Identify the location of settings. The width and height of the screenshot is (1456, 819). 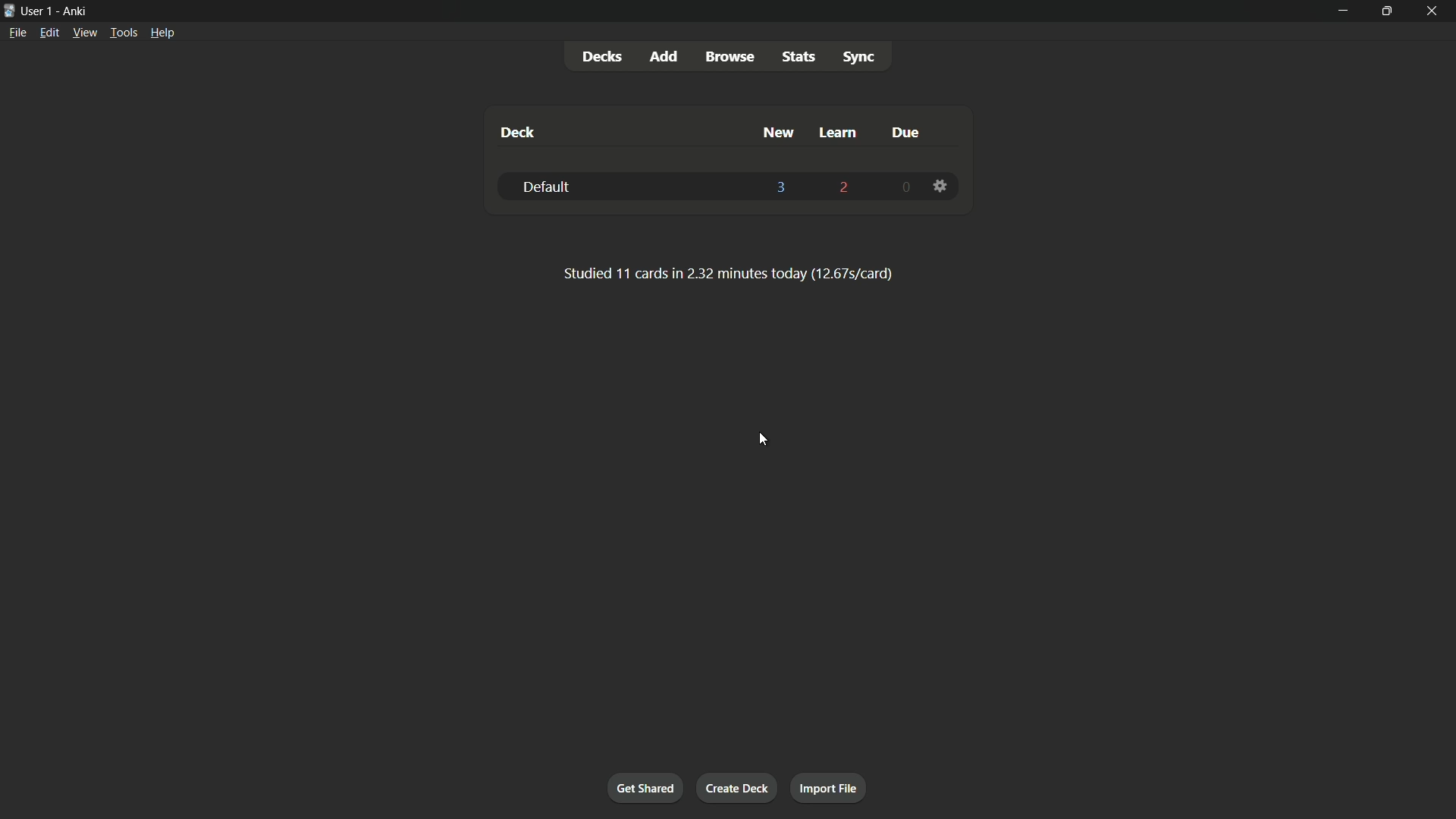
(940, 186).